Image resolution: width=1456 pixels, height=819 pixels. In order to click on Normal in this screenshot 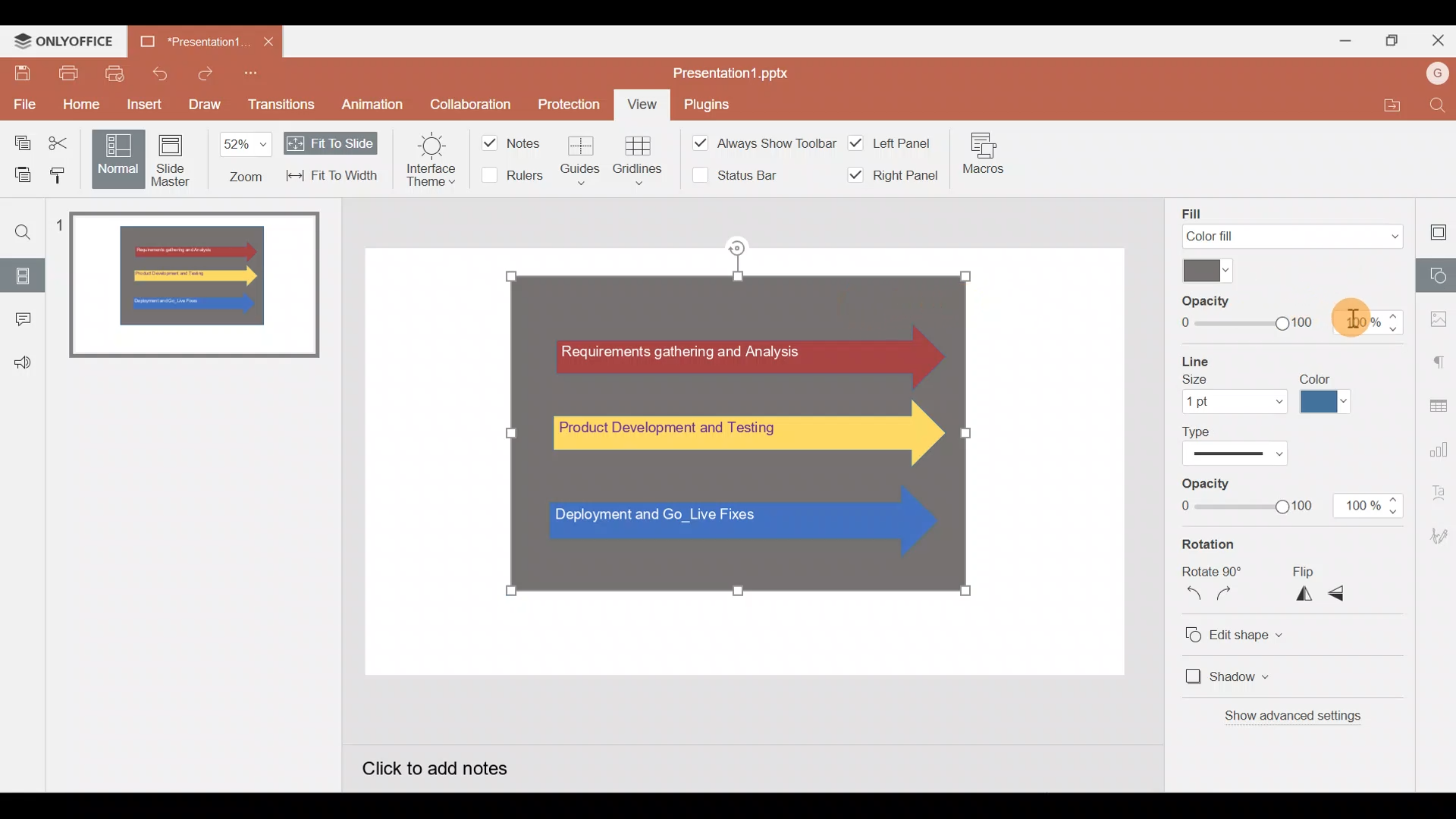, I will do `click(115, 158)`.